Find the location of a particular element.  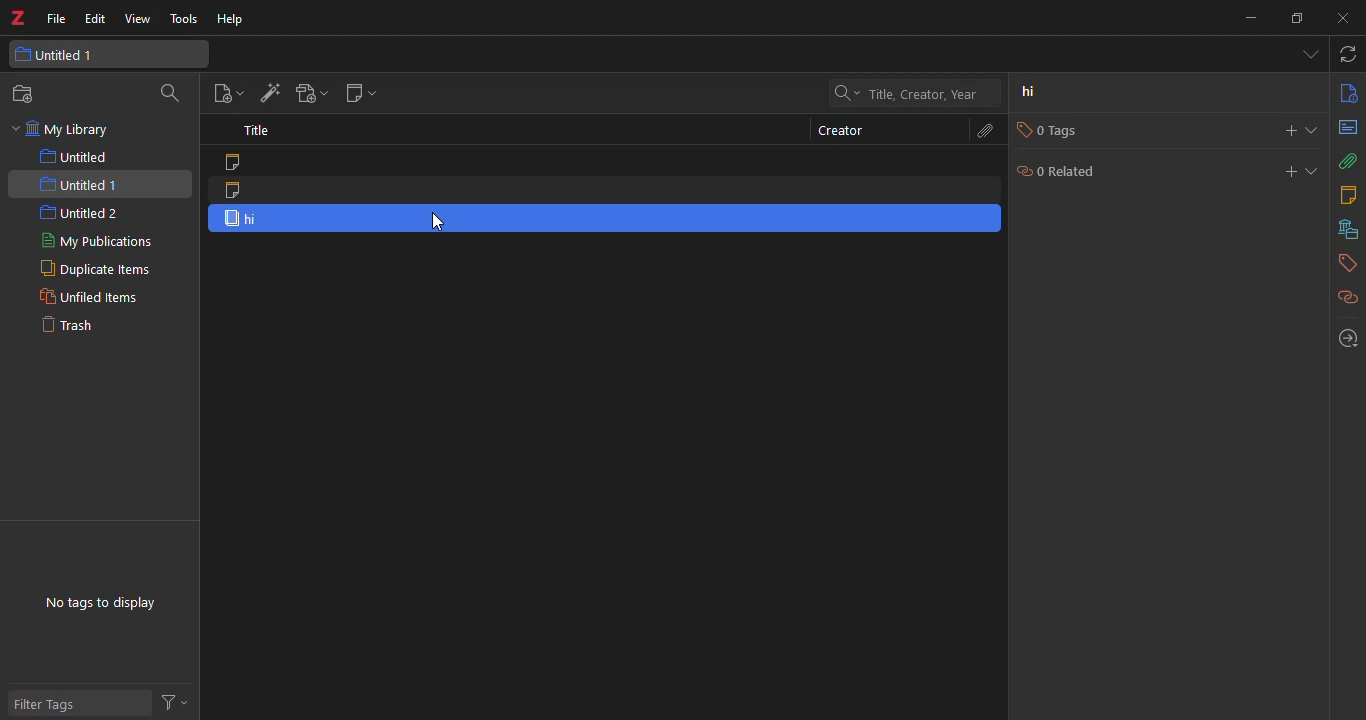

untitled is located at coordinates (74, 155).